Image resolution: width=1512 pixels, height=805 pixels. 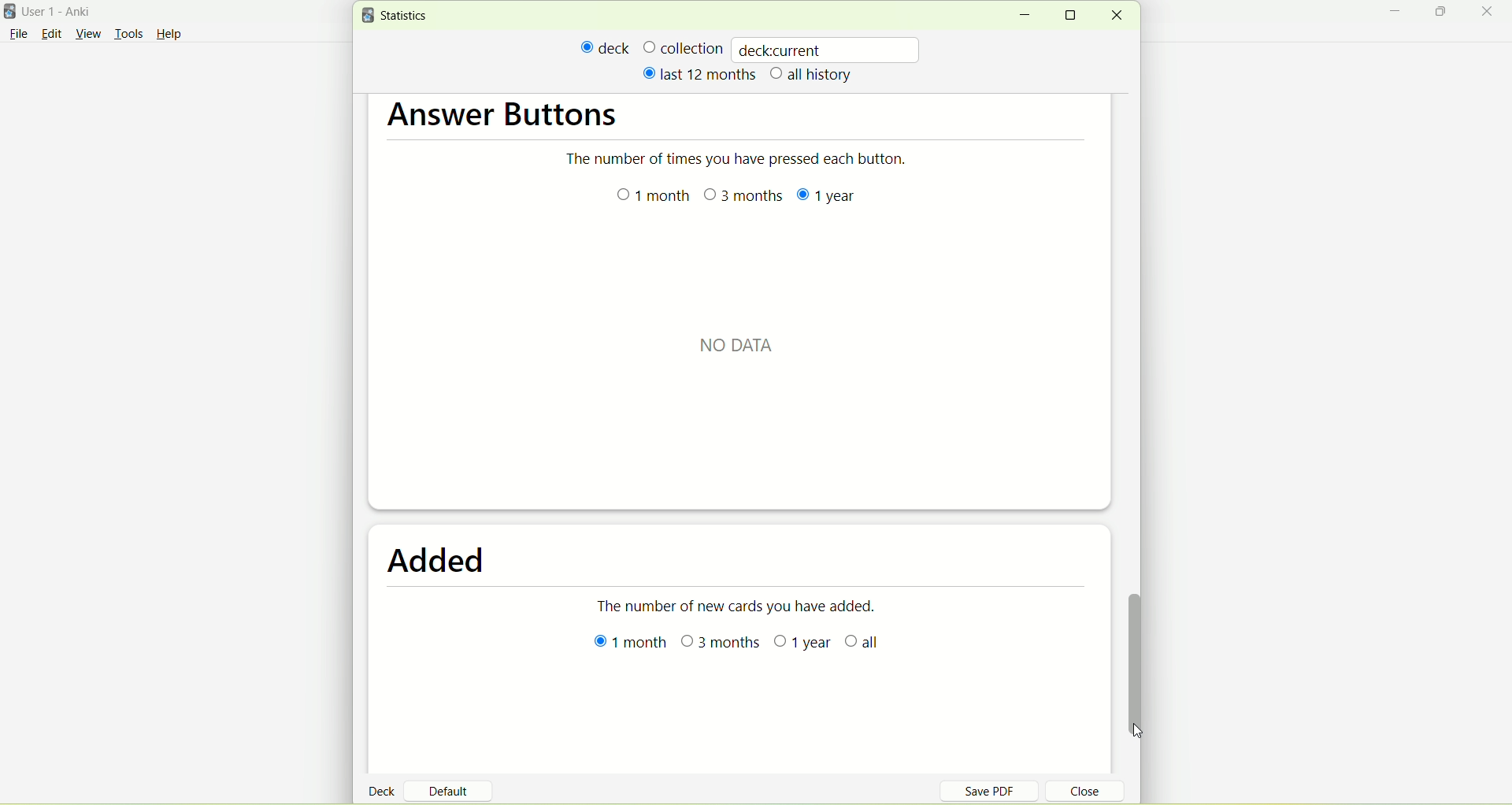 I want to click on User 1- Anki, so click(x=67, y=14).